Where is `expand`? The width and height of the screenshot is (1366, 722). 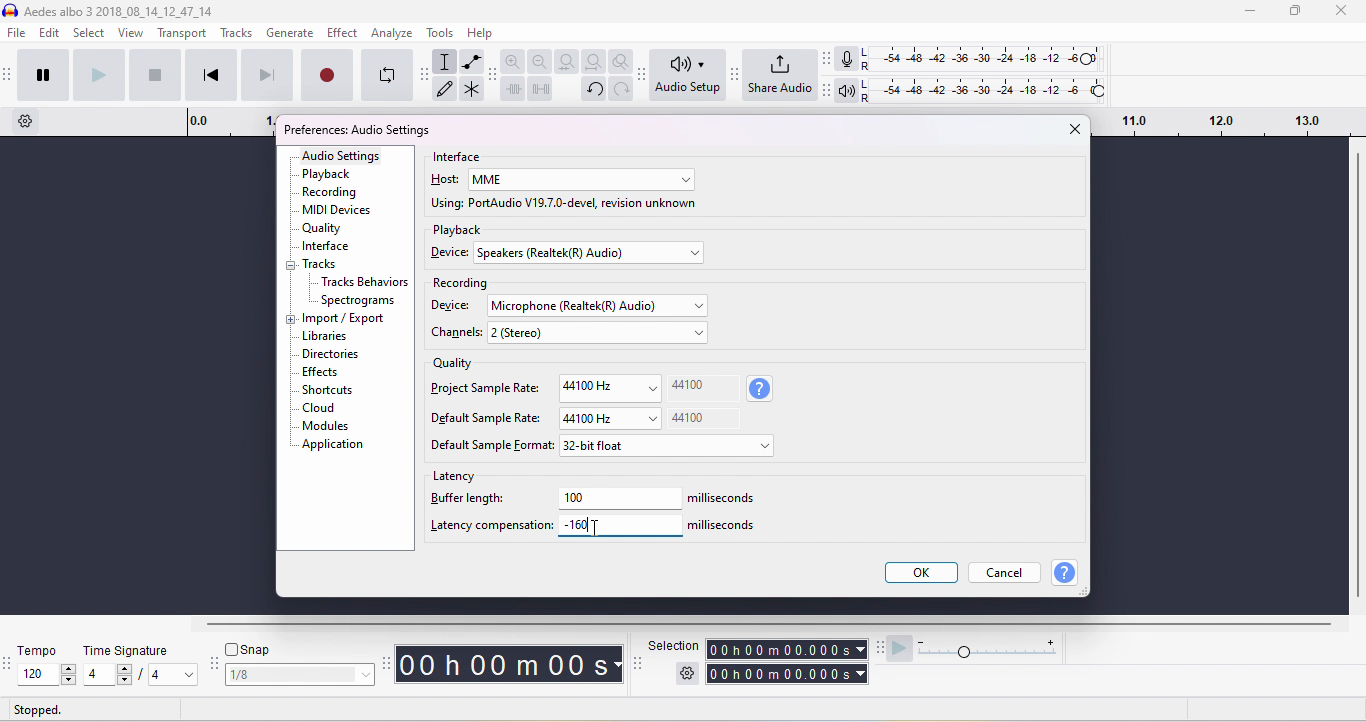 expand is located at coordinates (290, 320).